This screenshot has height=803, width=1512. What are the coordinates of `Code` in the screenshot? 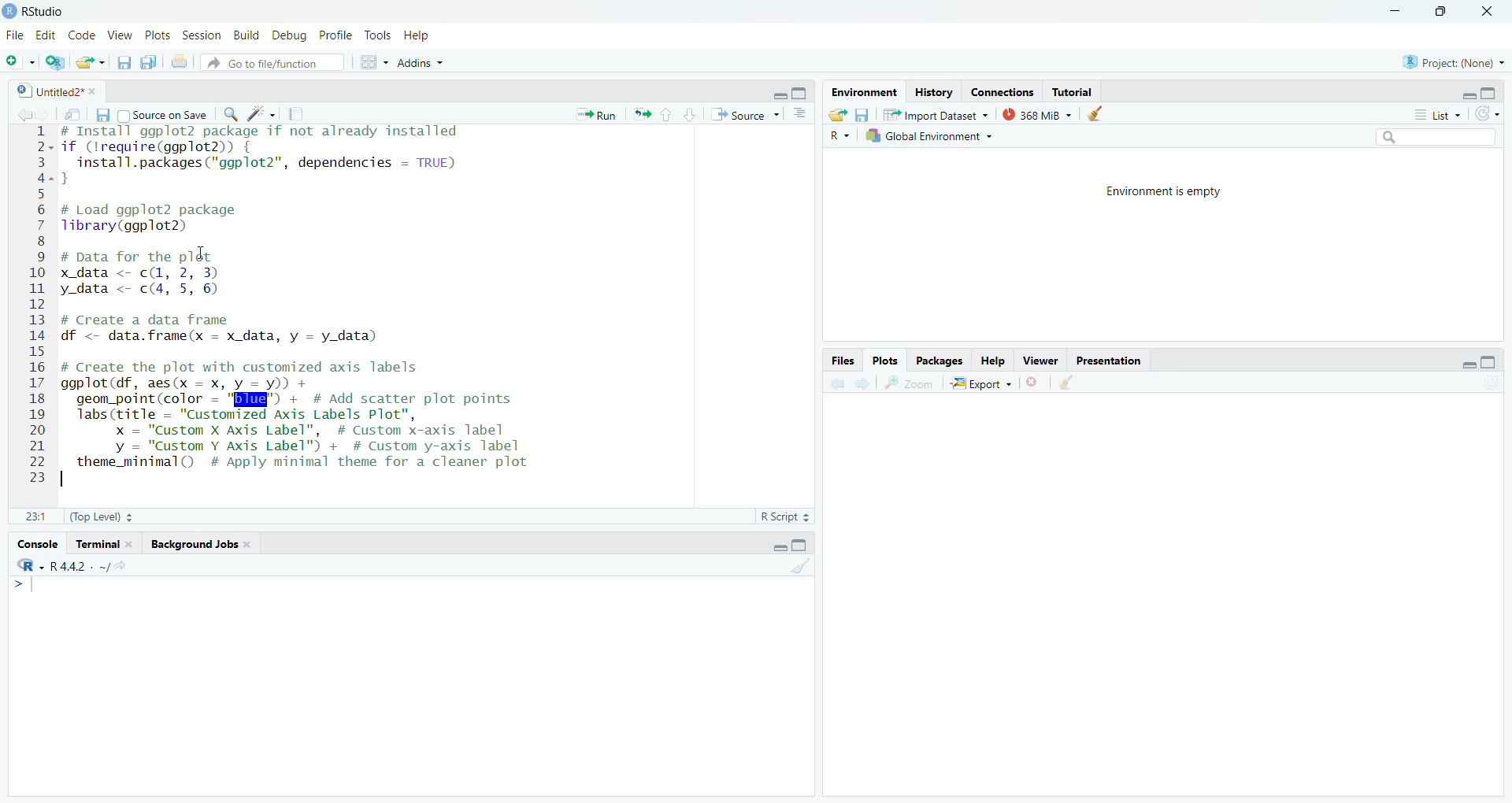 It's located at (82, 35).